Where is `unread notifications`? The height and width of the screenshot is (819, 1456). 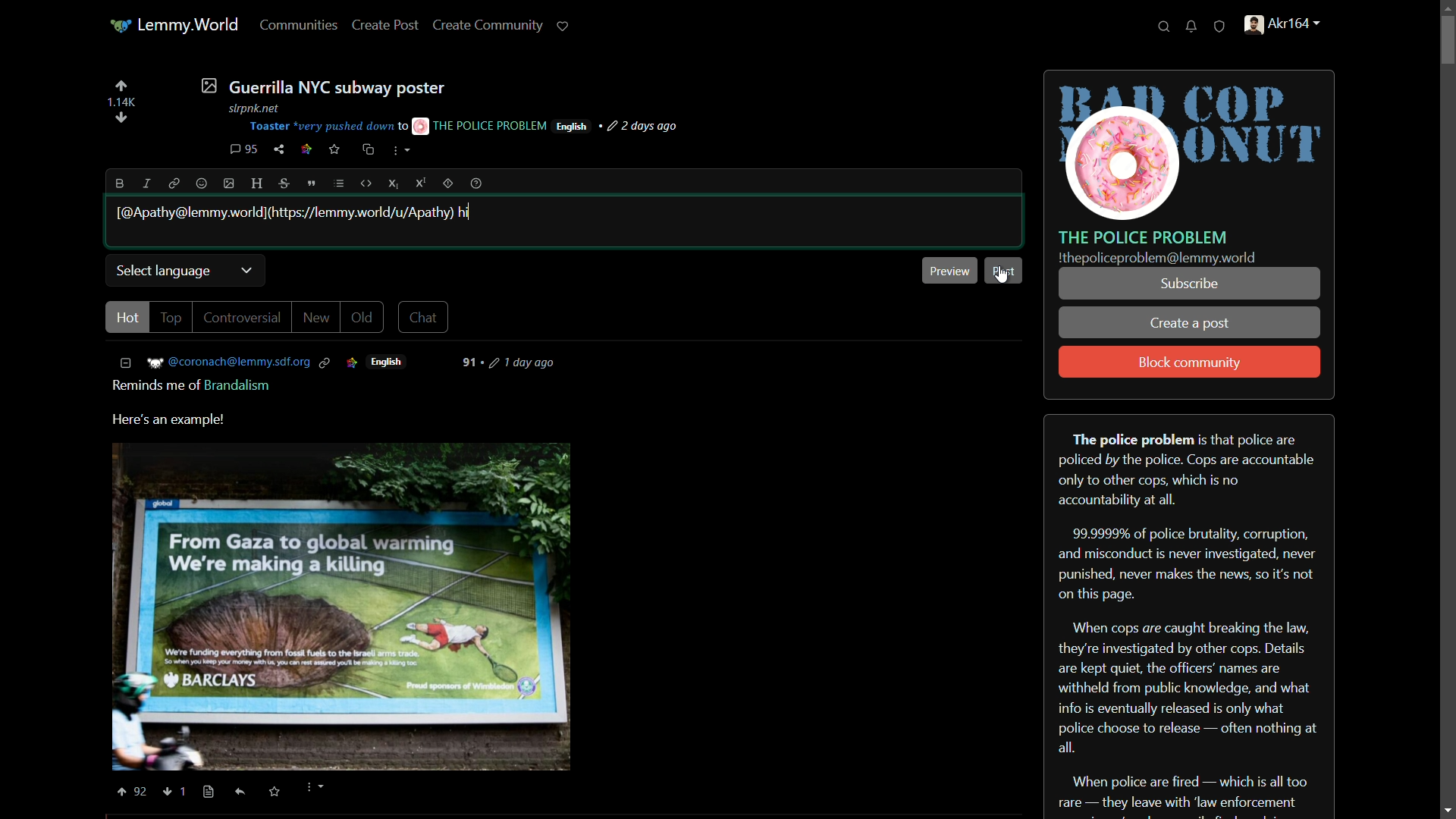
unread notifications is located at coordinates (1193, 27).